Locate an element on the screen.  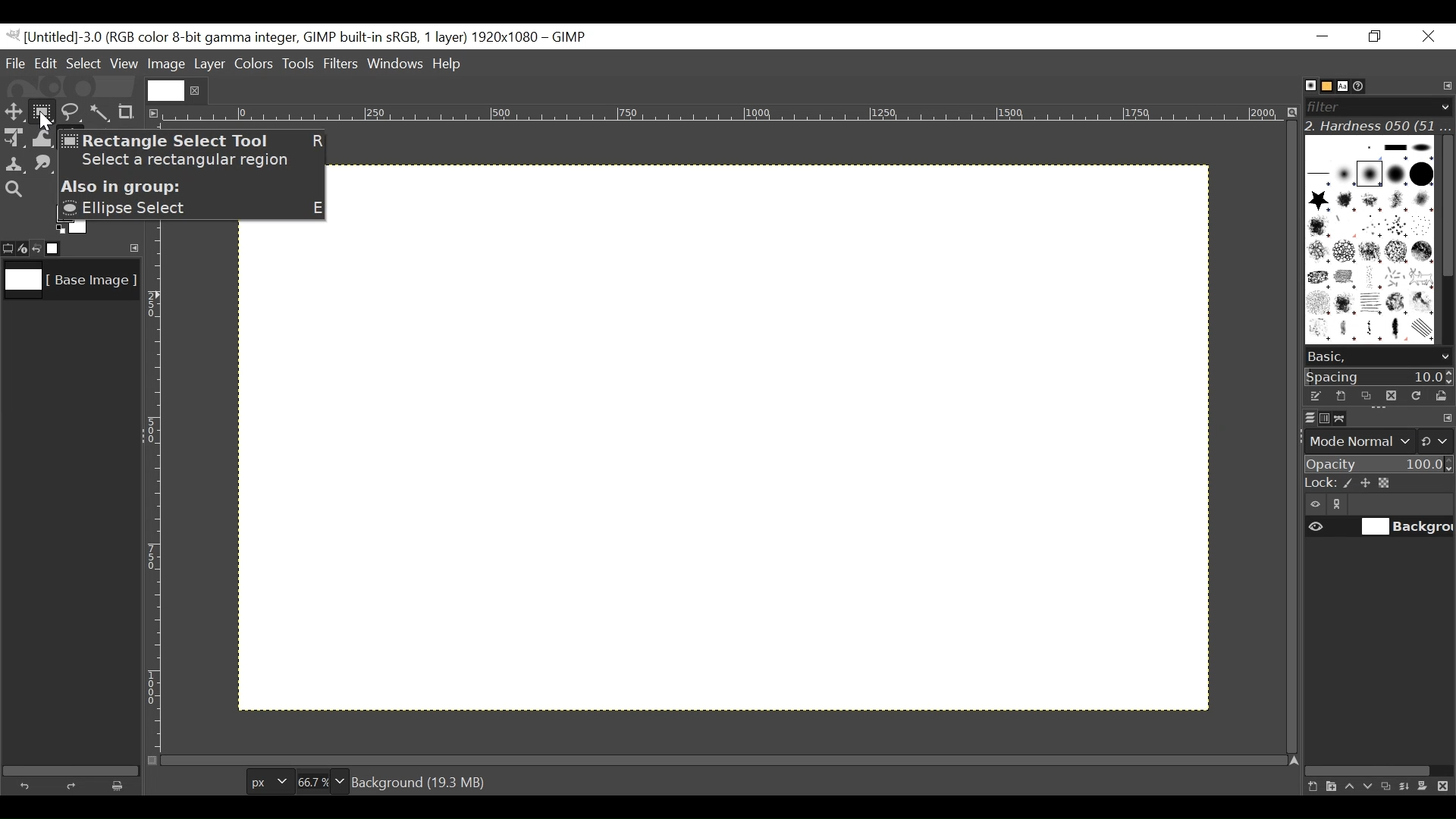
Brushes is located at coordinates (1303, 86).